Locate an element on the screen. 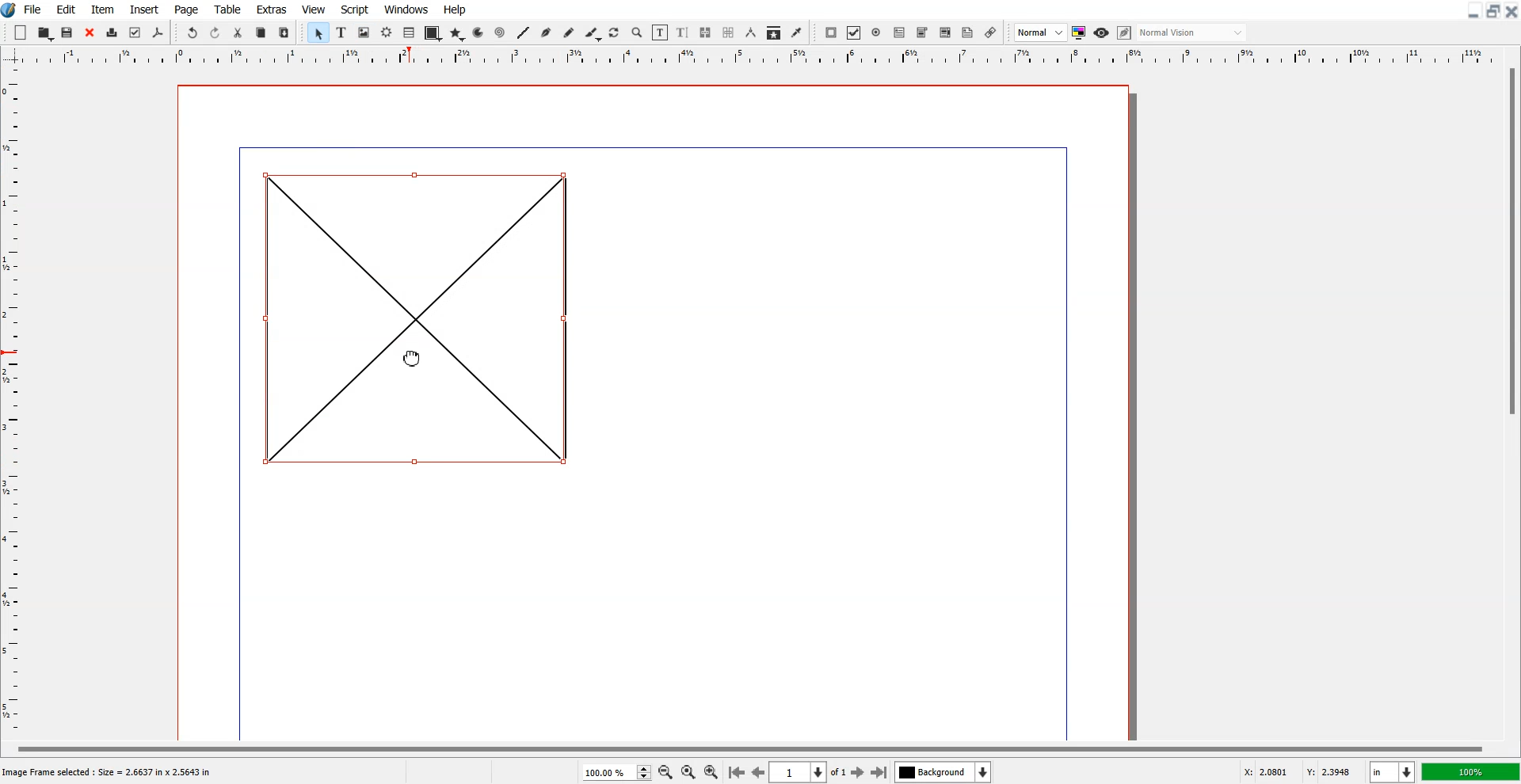 The image size is (1521, 784). Close is located at coordinates (90, 32).